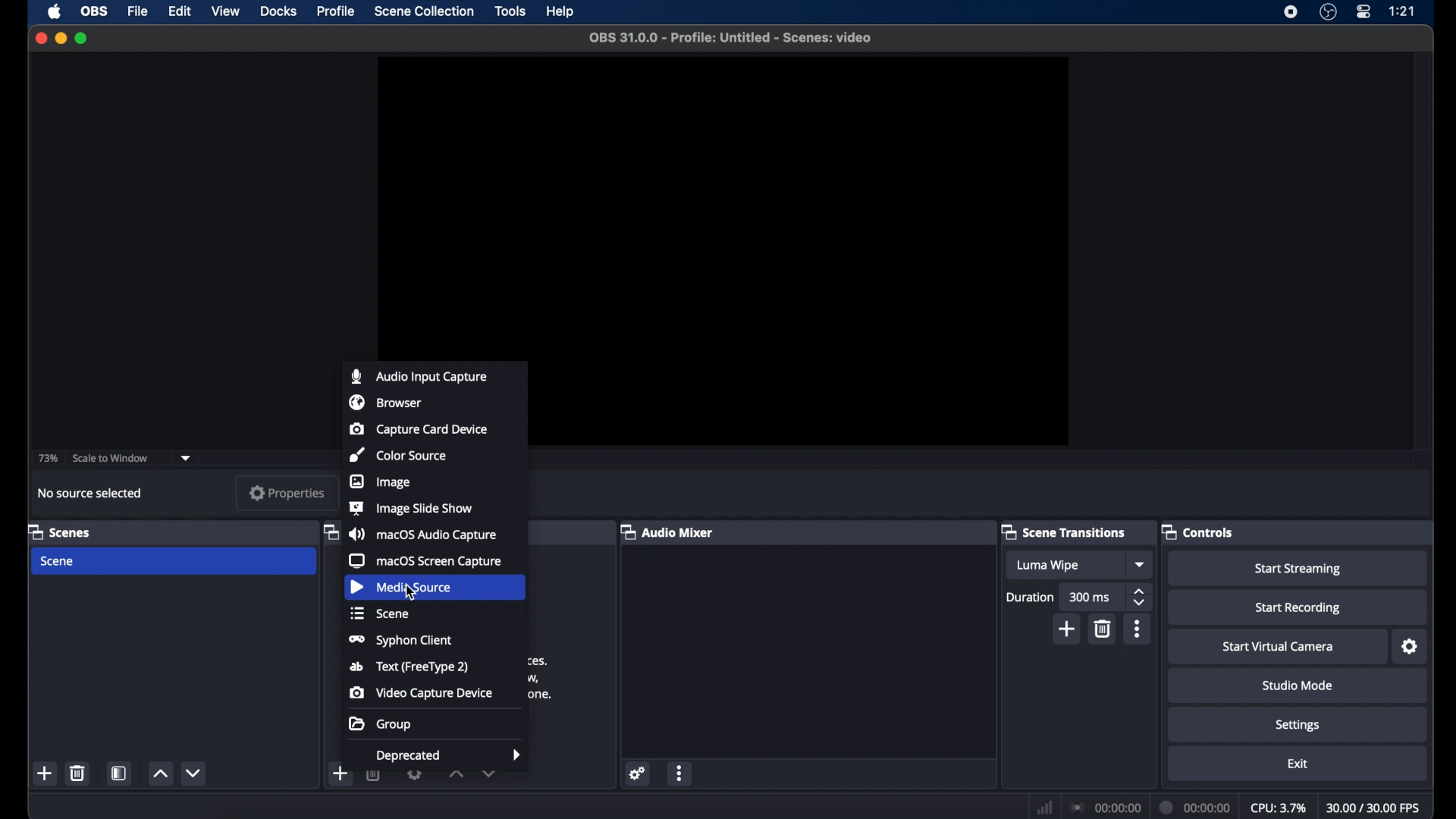 This screenshot has width=1456, height=819. Describe the element at coordinates (1275, 645) in the screenshot. I see `start virtual camera` at that location.